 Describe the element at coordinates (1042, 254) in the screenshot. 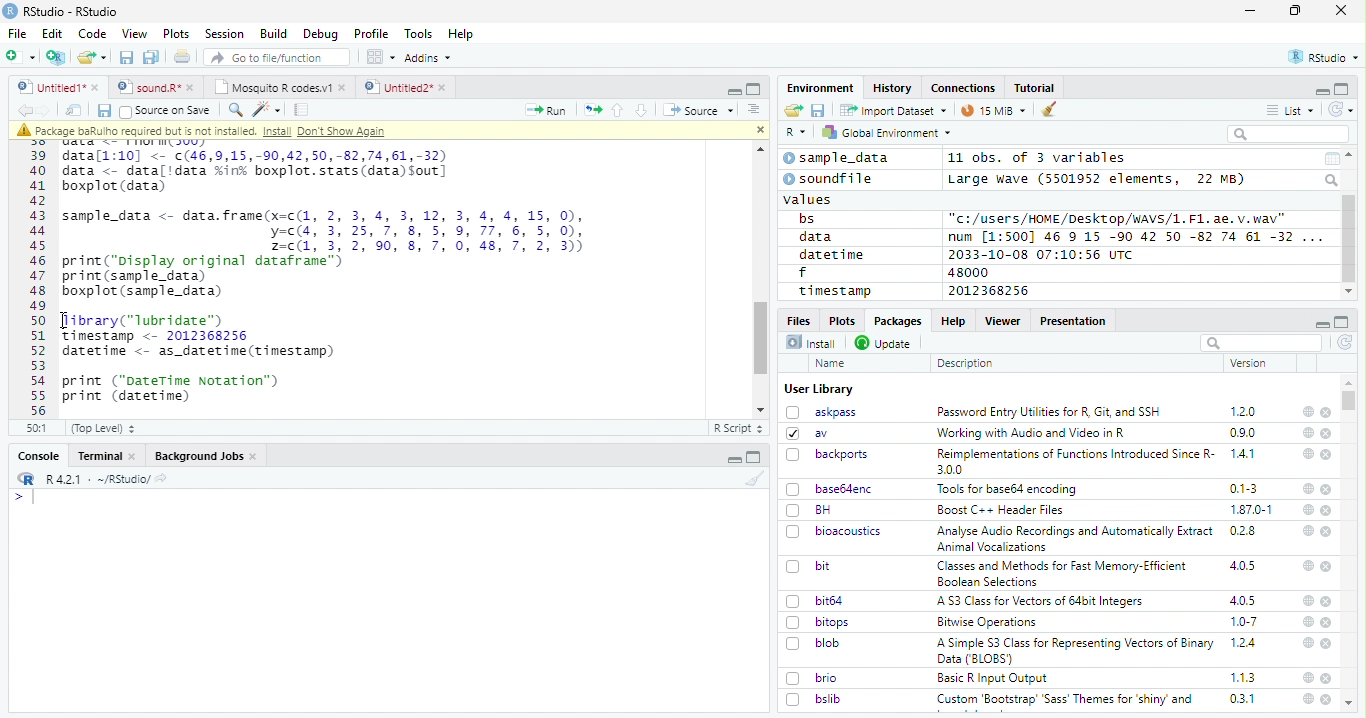

I see `2033-10-08 07:10:56 UTC` at that location.